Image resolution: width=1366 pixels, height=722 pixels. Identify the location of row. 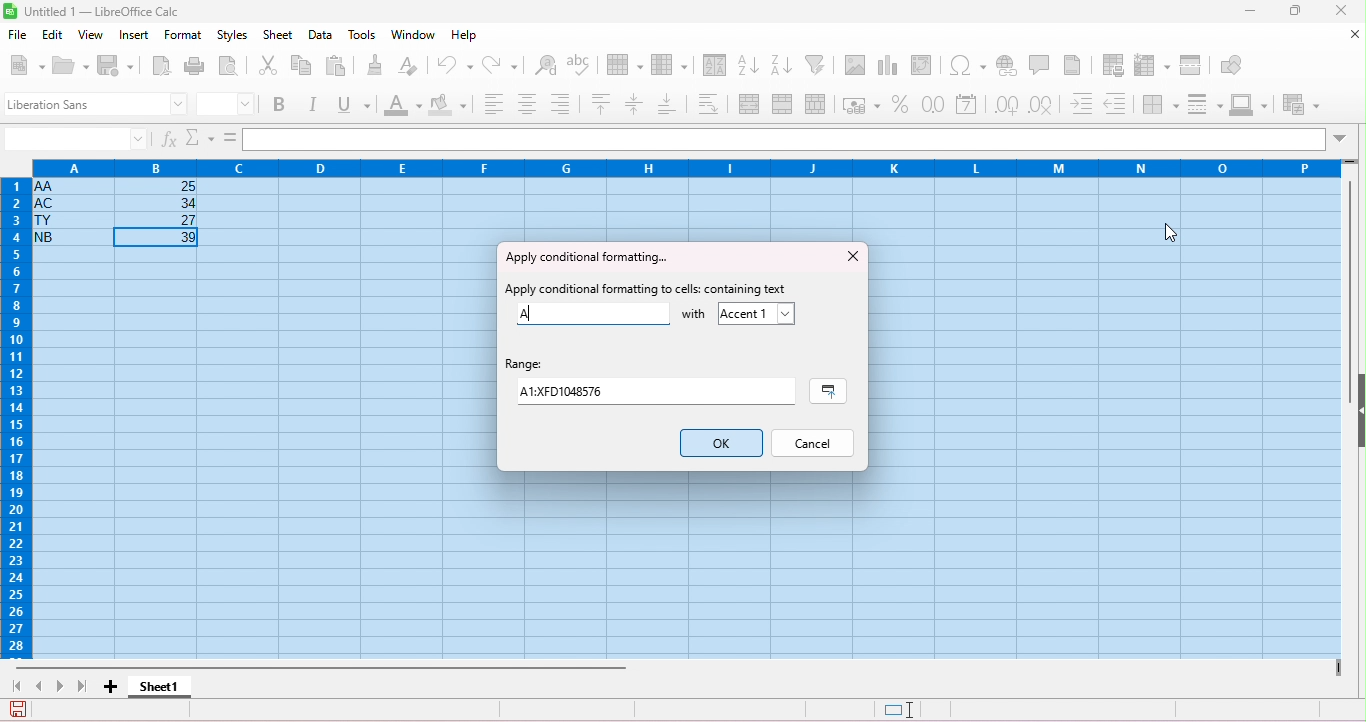
(626, 64).